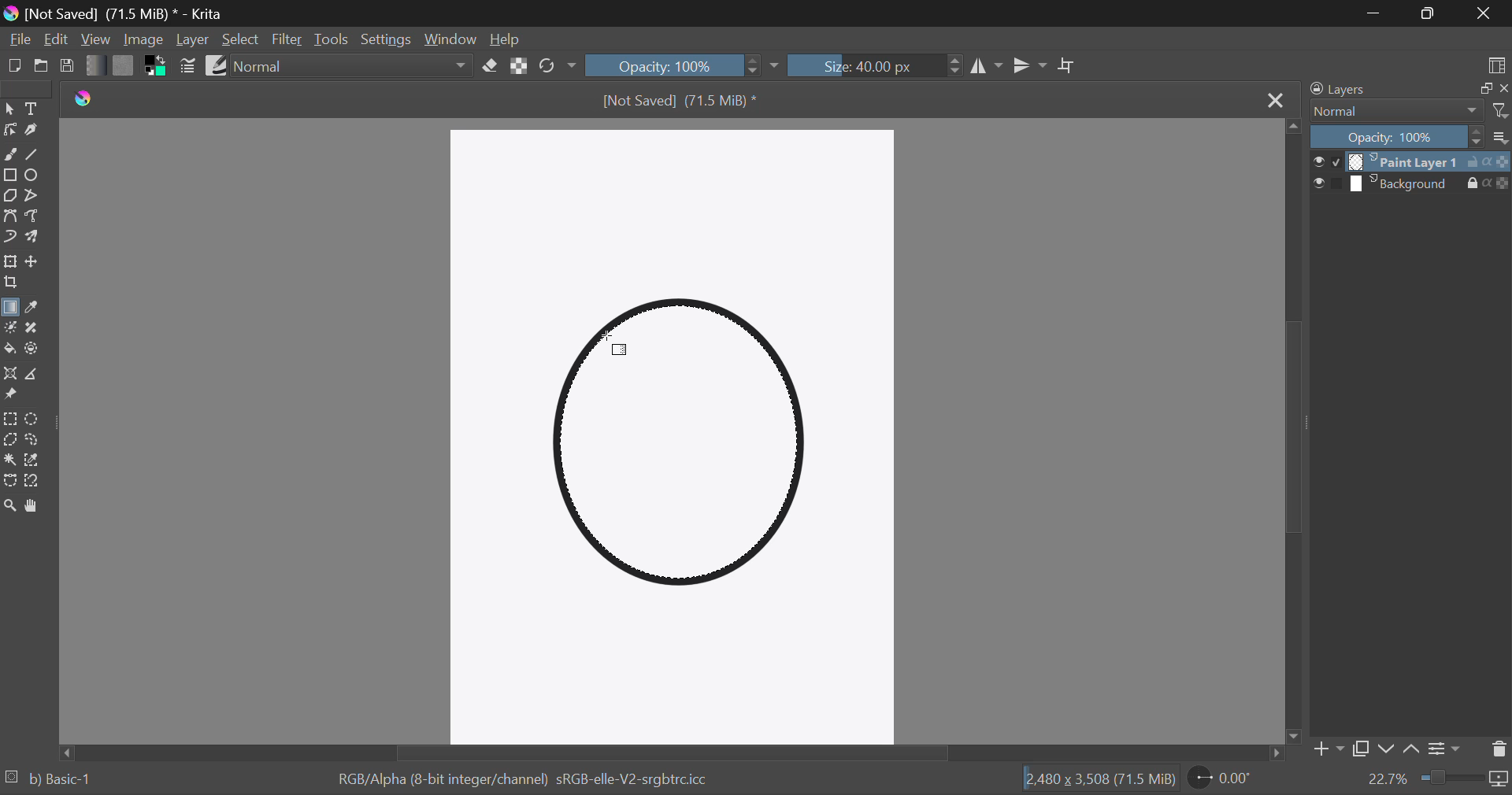 This screenshot has height=795, width=1512. I want to click on checkbox, so click(1326, 162).